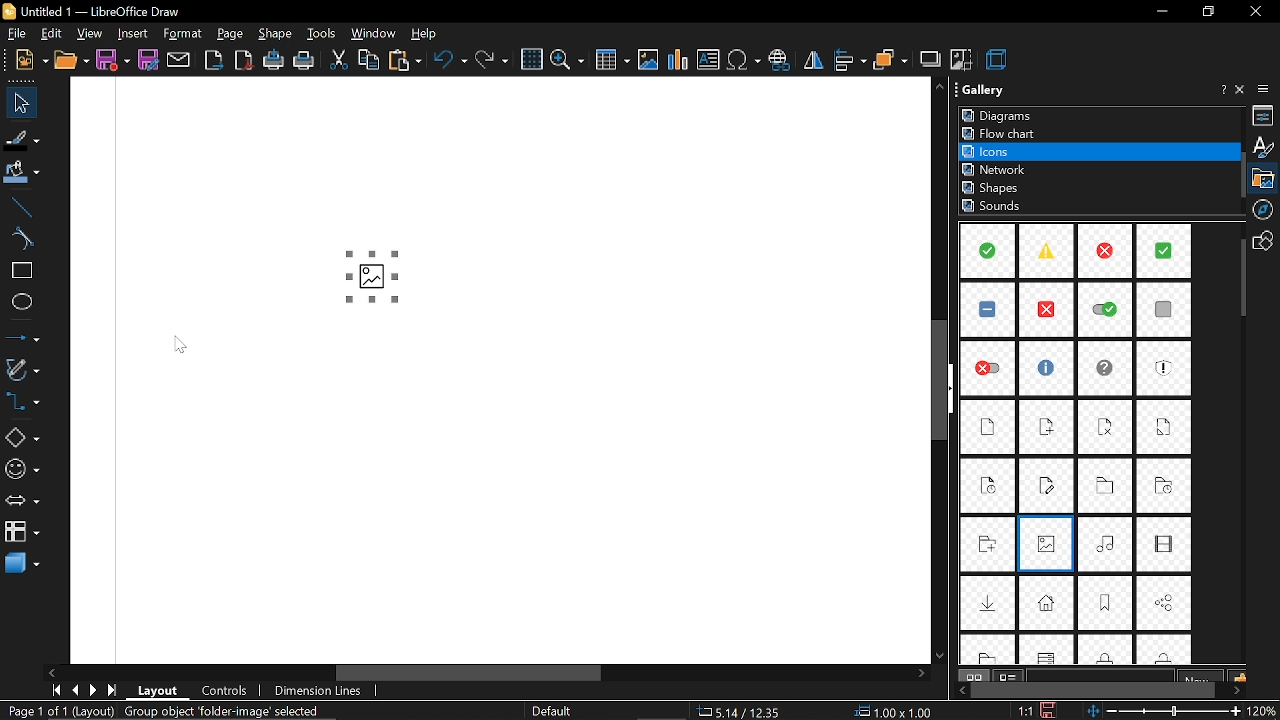 The width and height of the screenshot is (1280, 720). Describe the element at coordinates (338, 61) in the screenshot. I see `cut` at that location.